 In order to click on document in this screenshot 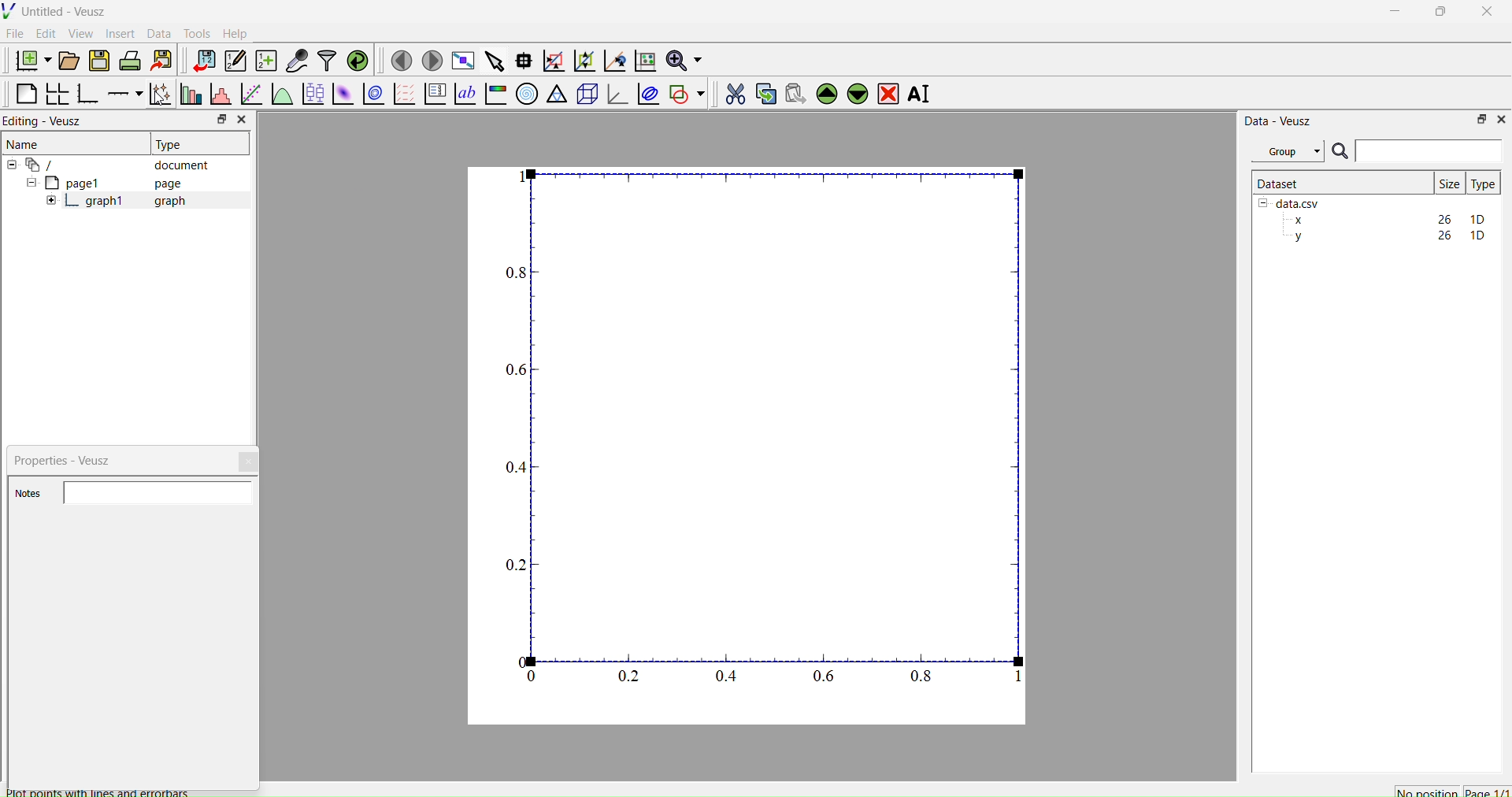, I will do `click(114, 164)`.